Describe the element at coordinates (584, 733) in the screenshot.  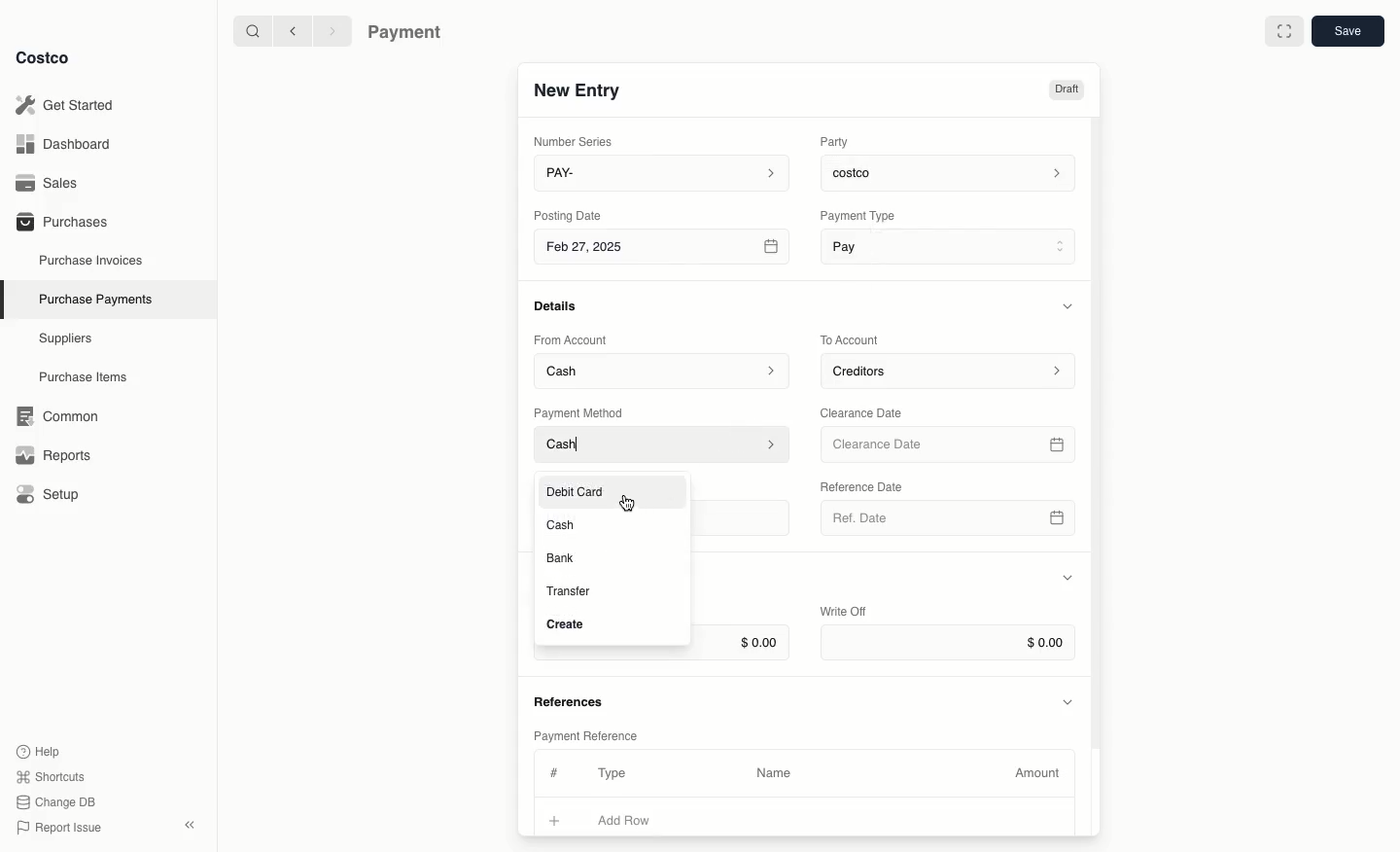
I see `Payment Reference` at that location.